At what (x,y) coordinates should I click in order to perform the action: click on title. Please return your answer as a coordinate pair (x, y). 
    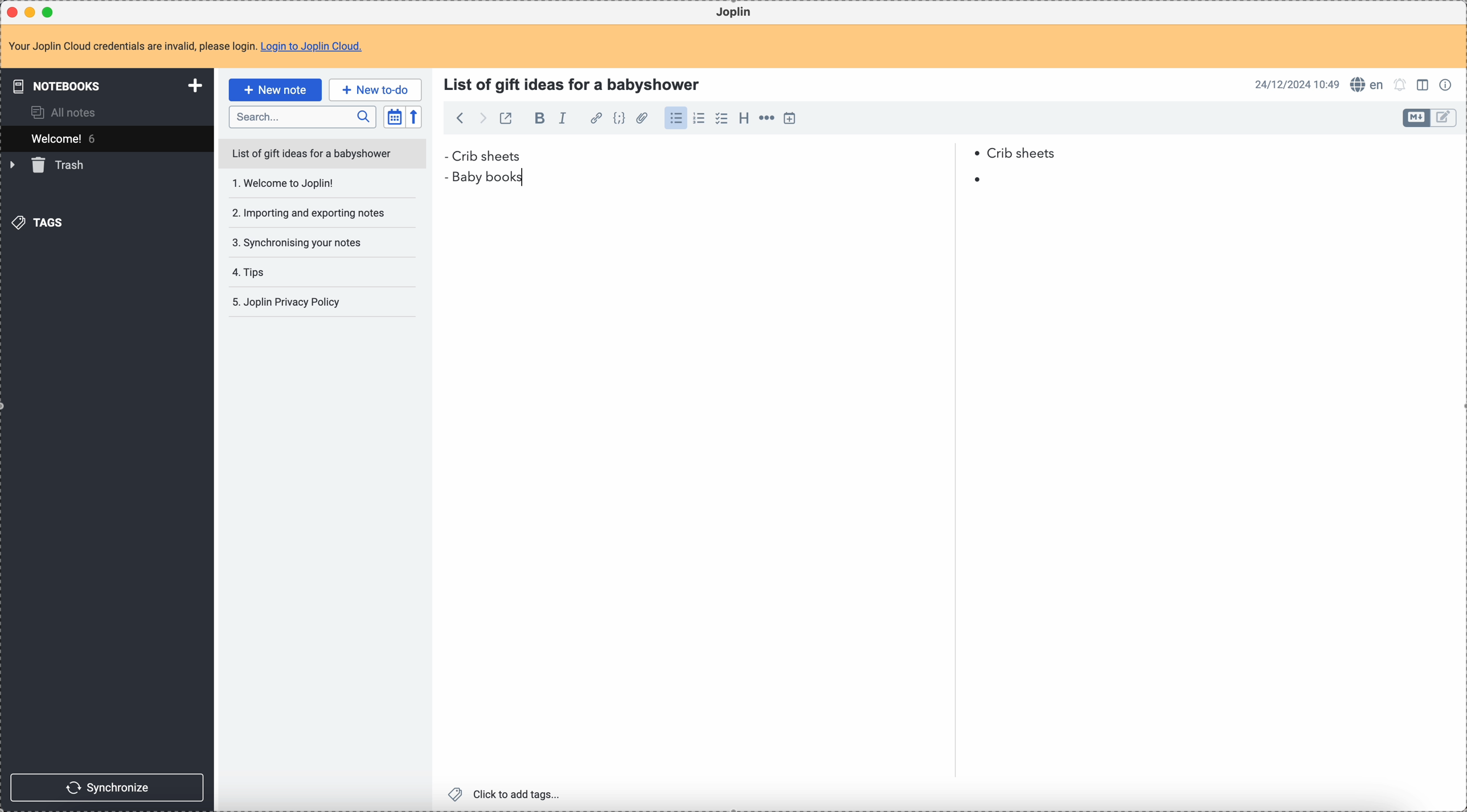
    Looking at the image, I should click on (575, 83).